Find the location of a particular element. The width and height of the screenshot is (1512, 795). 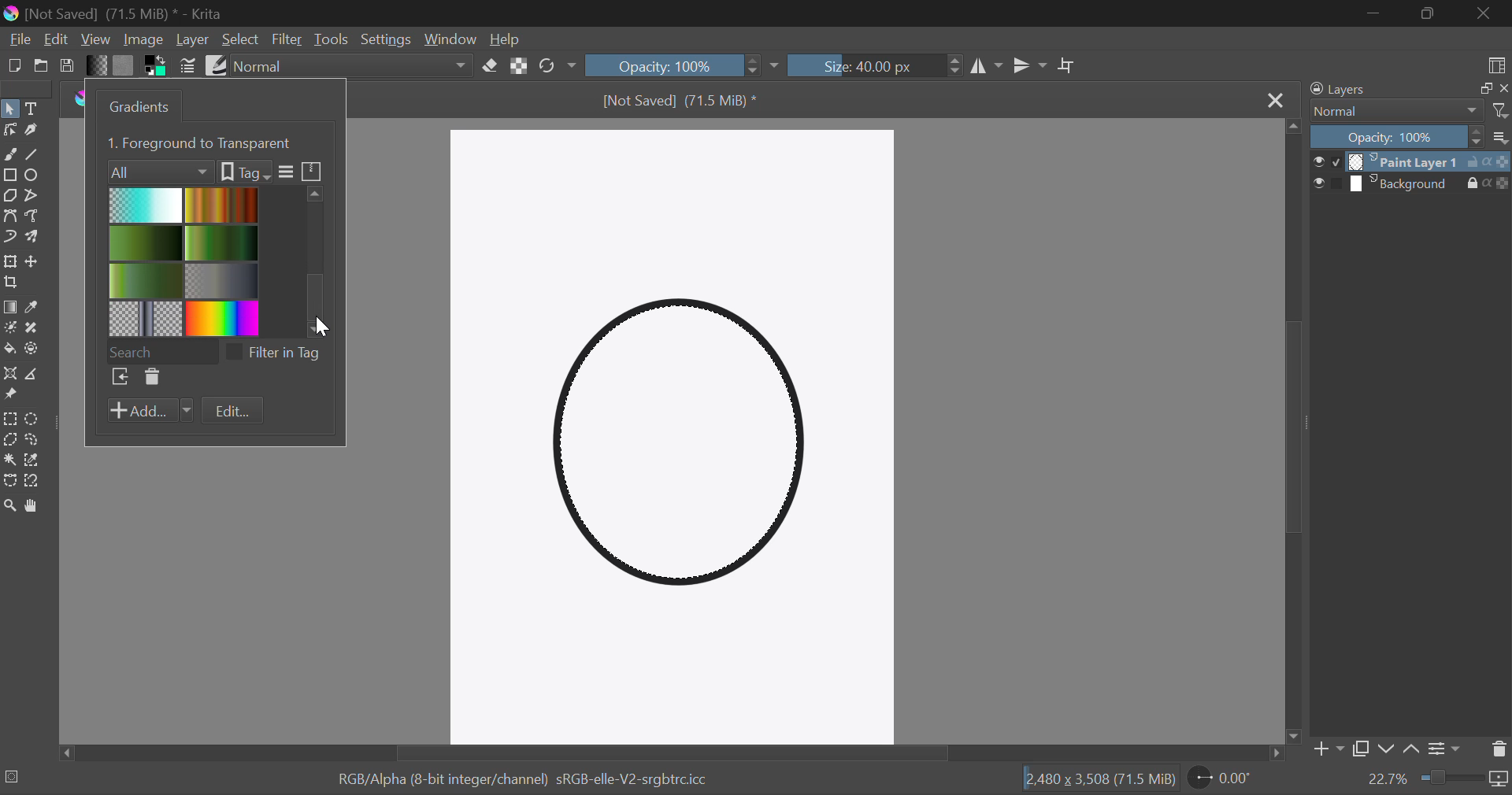

Restore Down is located at coordinates (1374, 14).